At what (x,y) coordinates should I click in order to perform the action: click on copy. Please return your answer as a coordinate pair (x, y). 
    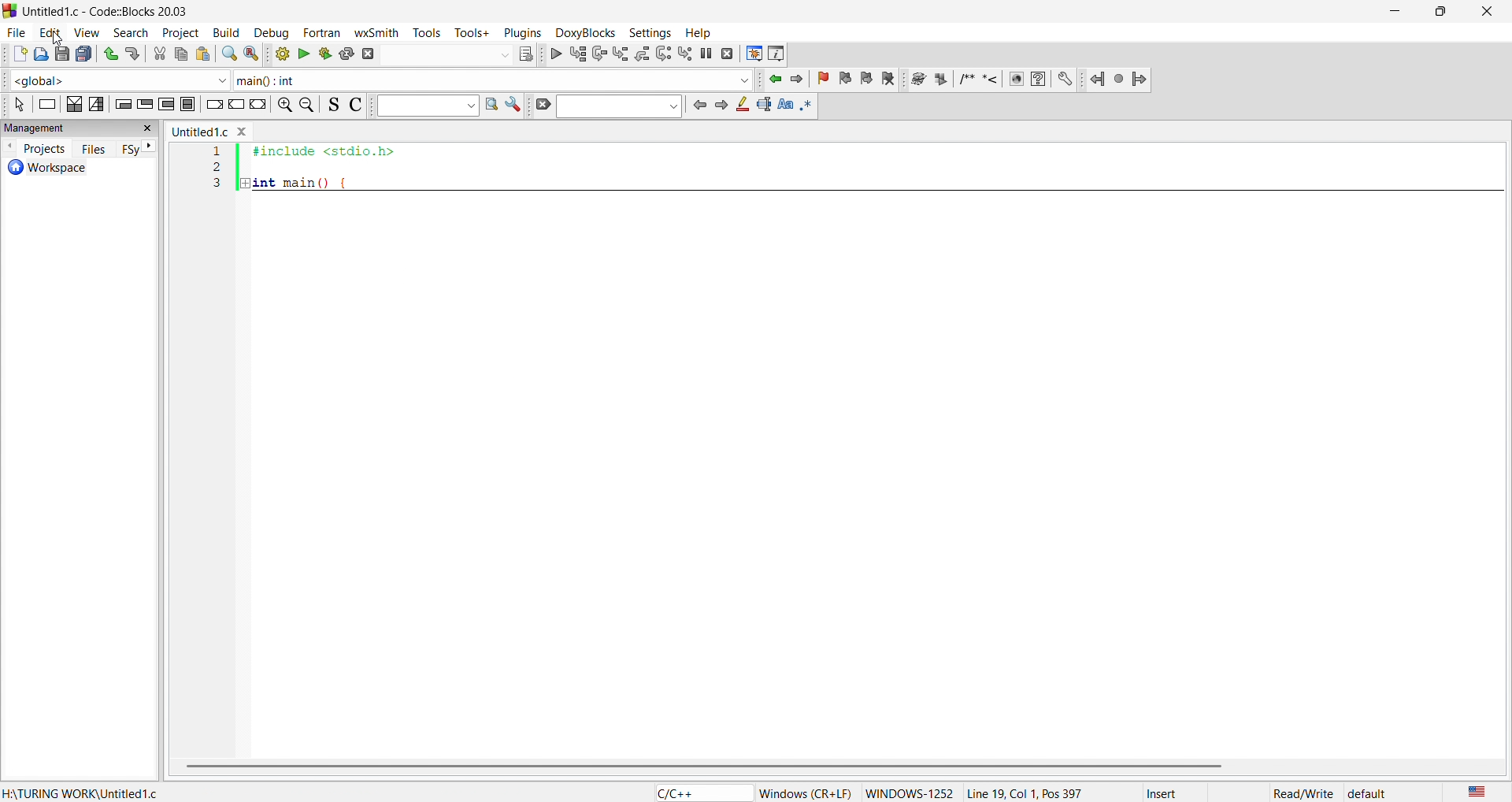
    Looking at the image, I should click on (181, 54).